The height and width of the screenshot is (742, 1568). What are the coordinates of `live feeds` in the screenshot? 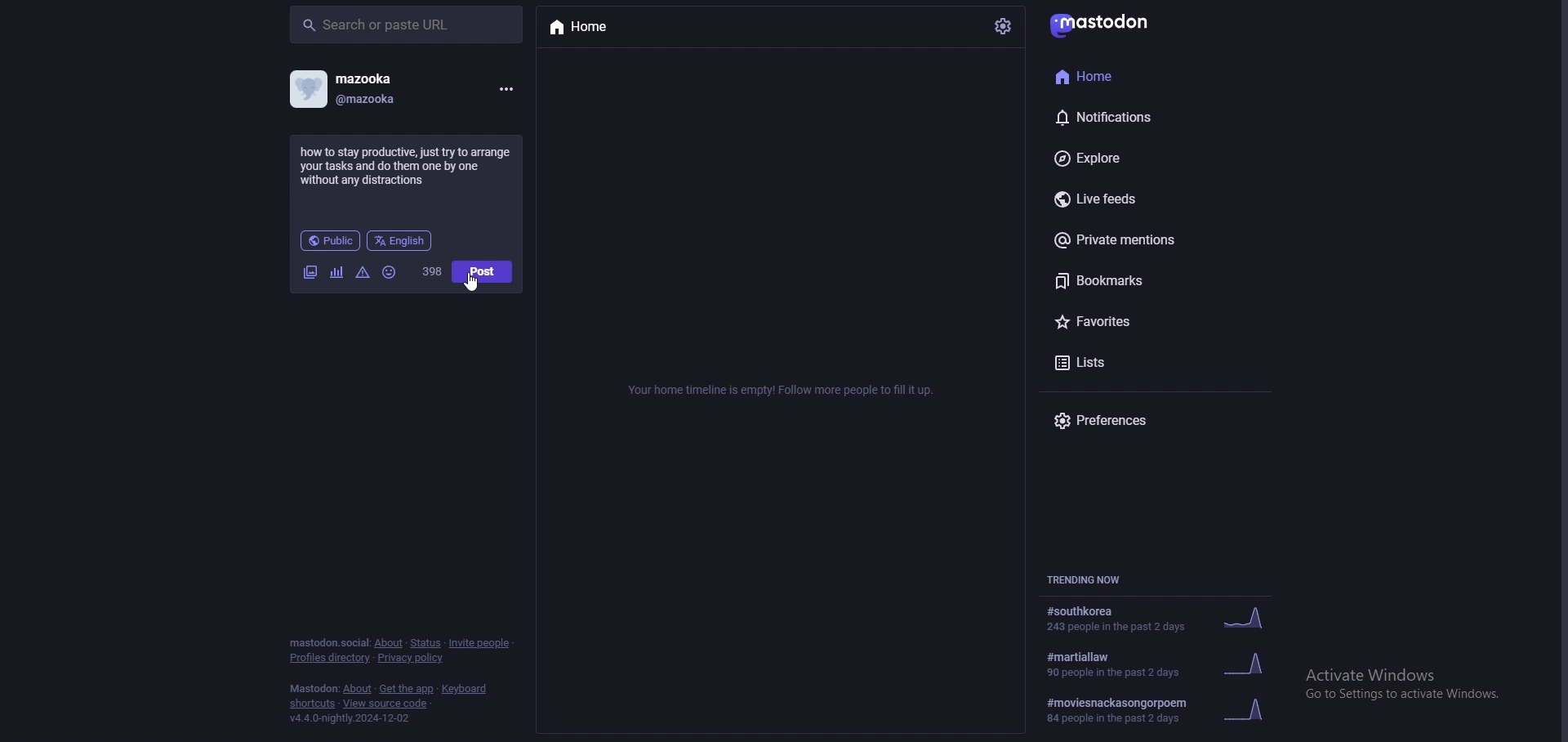 It's located at (1139, 199).